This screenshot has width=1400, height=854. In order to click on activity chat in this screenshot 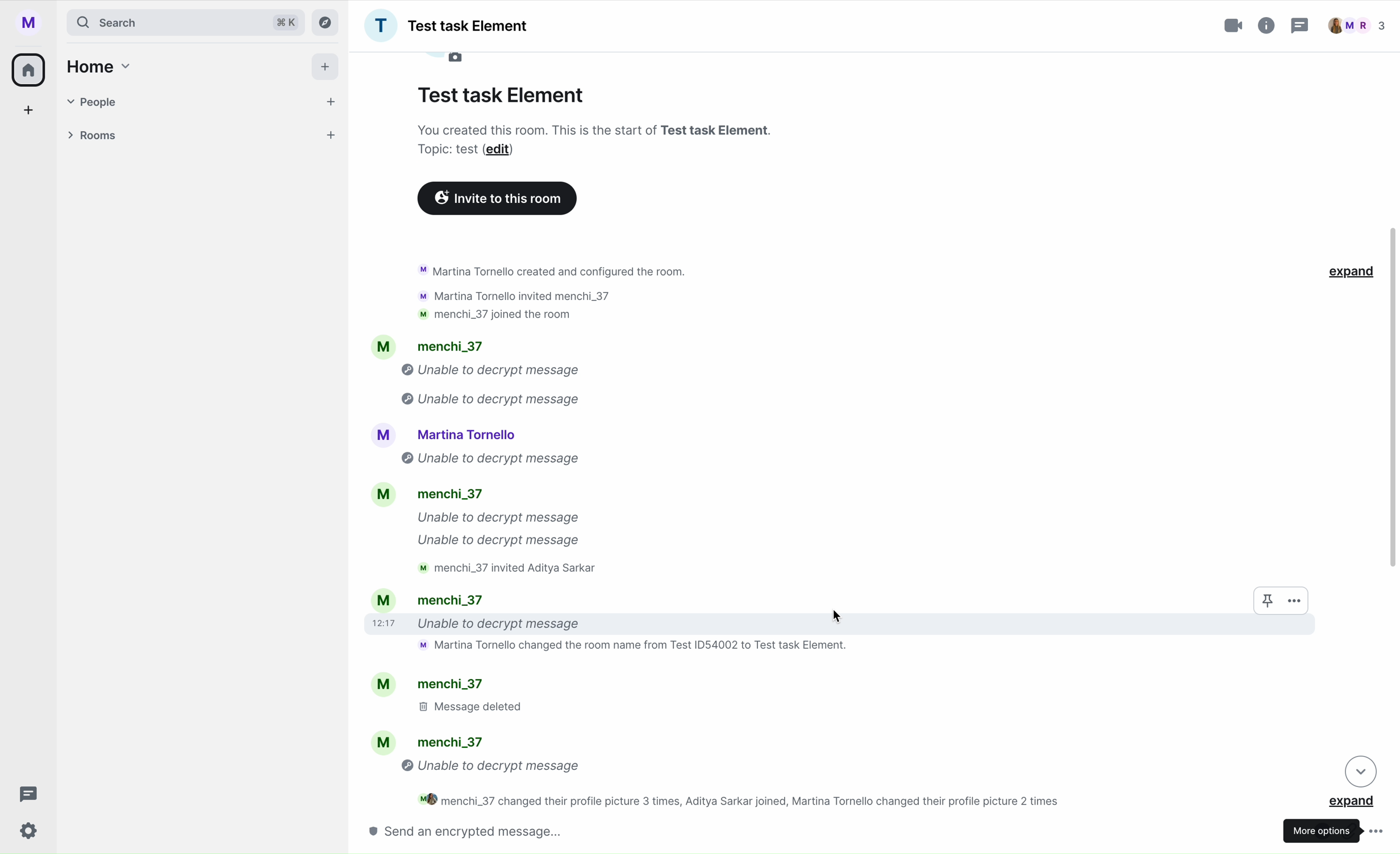, I will do `click(678, 455)`.